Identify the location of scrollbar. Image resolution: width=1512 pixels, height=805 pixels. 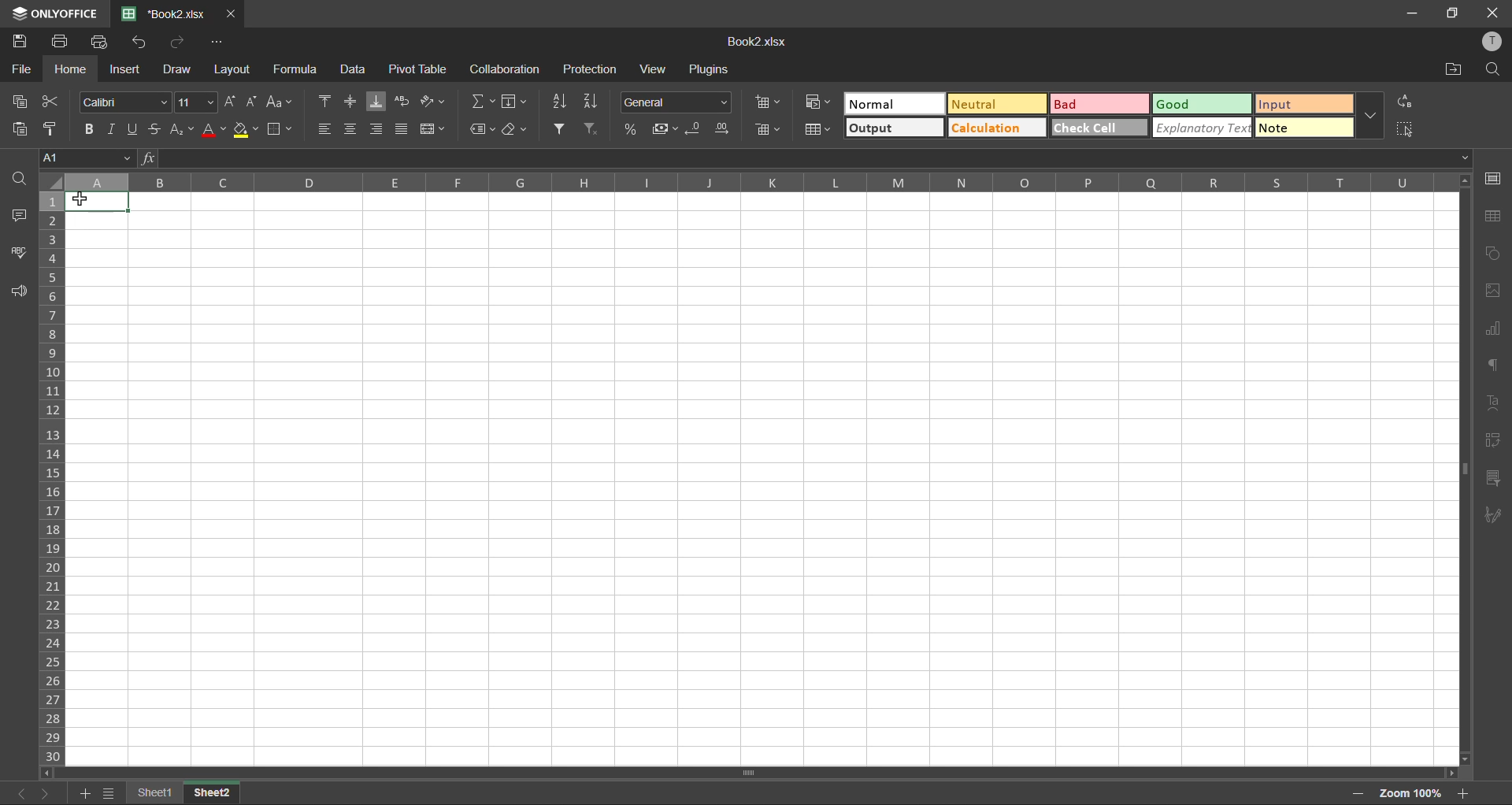
(747, 773).